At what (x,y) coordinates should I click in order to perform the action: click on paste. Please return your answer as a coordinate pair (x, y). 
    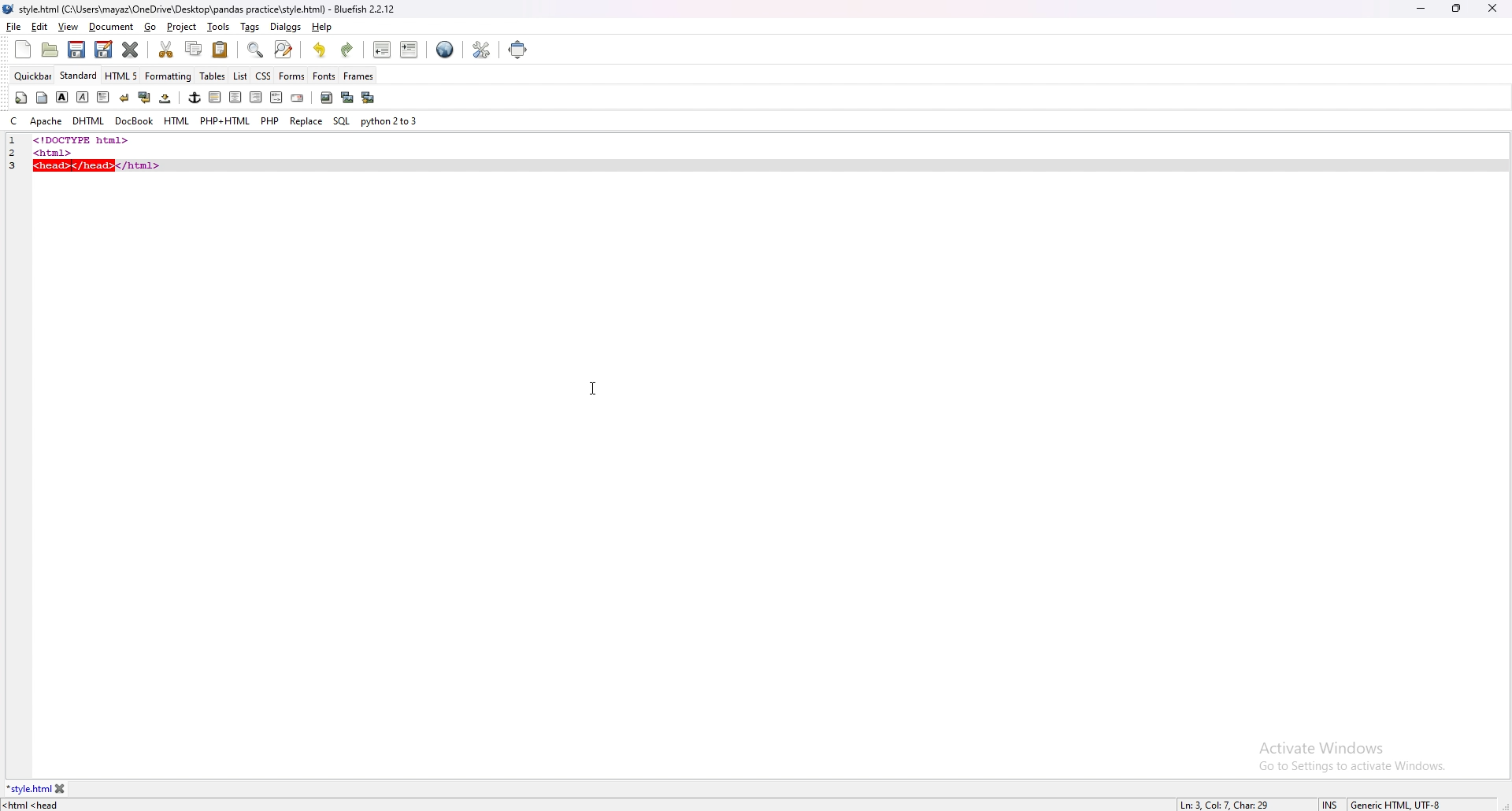
    Looking at the image, I should click on (220, 49).